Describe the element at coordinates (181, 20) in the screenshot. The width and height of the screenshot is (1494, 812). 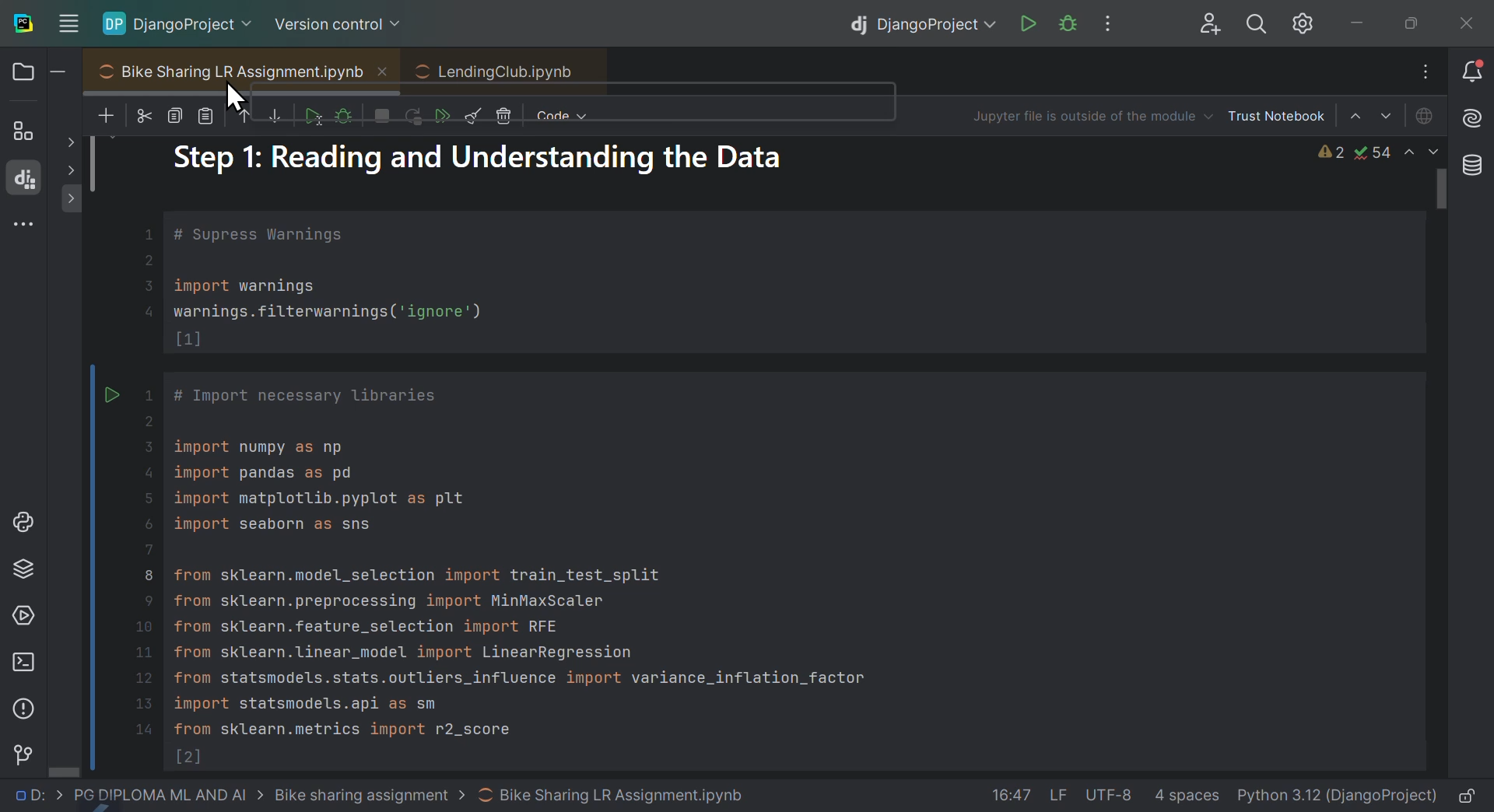
I see `Django project` at that location.